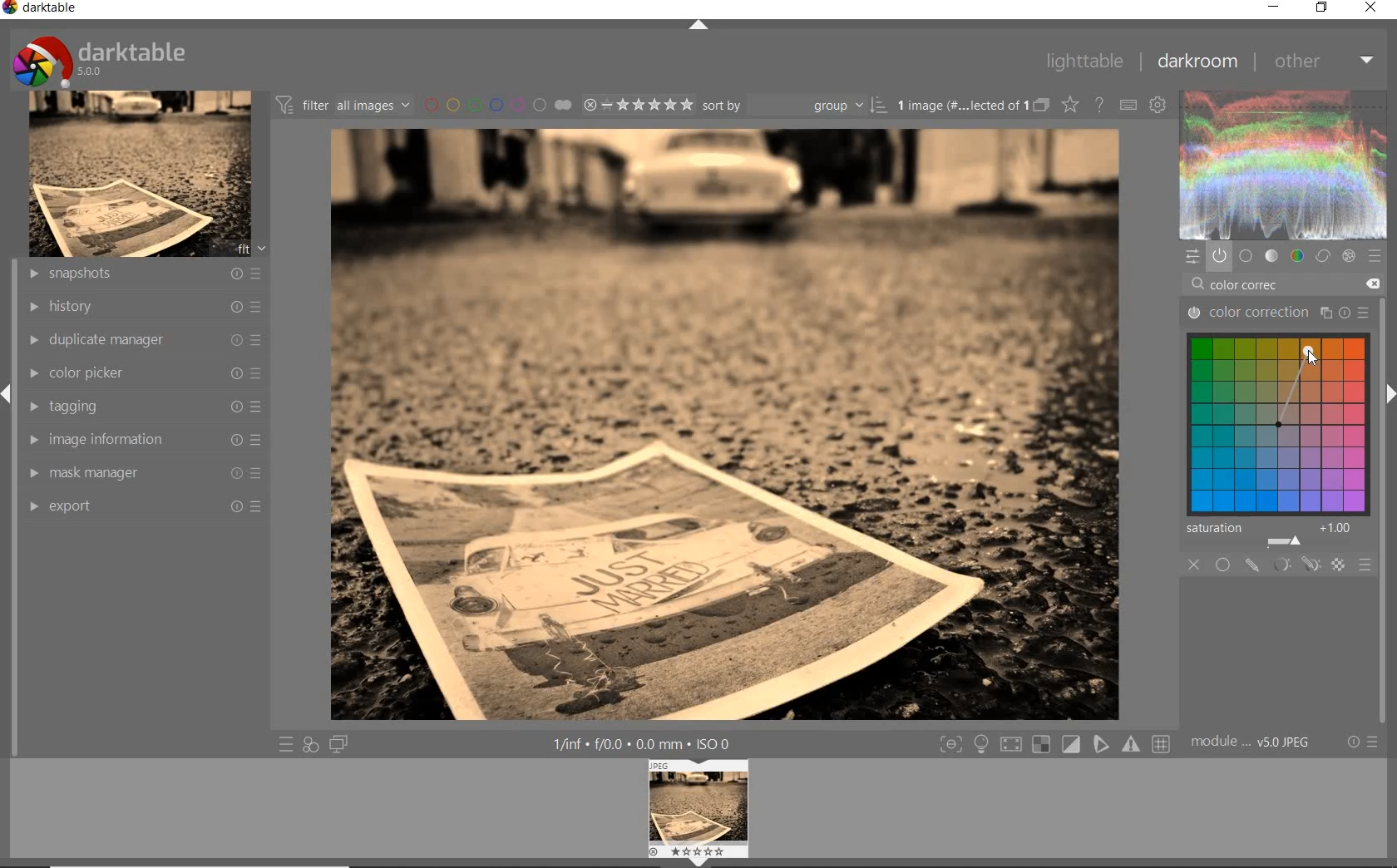  What do you see at coordinates (723, 426) in the screenshot?
I see `applied color correction wheel for harmony` at bounding box center [723, 426].